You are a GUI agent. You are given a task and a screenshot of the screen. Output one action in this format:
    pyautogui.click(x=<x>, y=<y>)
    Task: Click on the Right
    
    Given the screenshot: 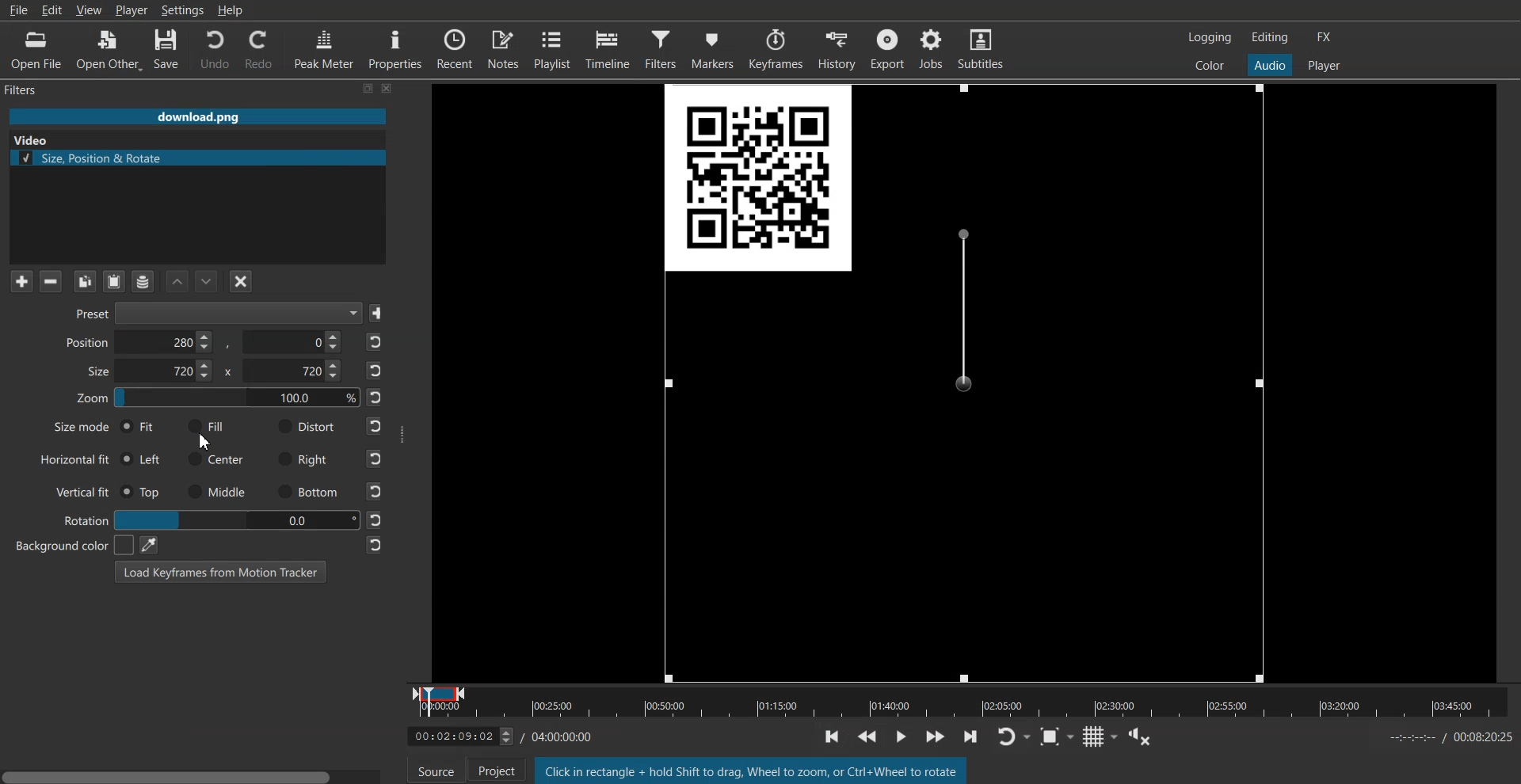 What is the action you would take?
    pyautogui.click(x=304, y=459)
    